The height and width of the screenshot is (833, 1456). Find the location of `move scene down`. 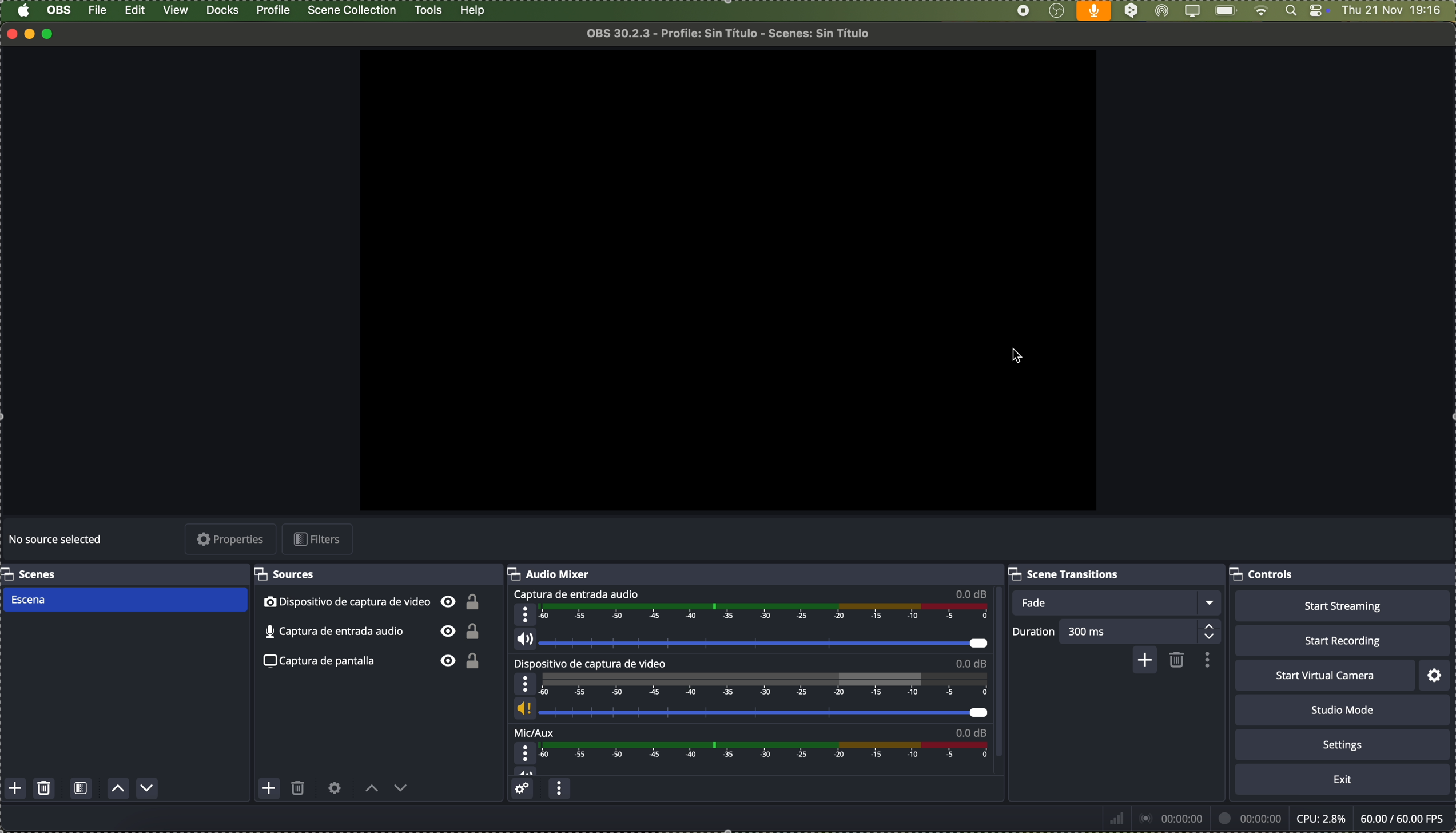

move scene down is located at coordinates (148, 788).